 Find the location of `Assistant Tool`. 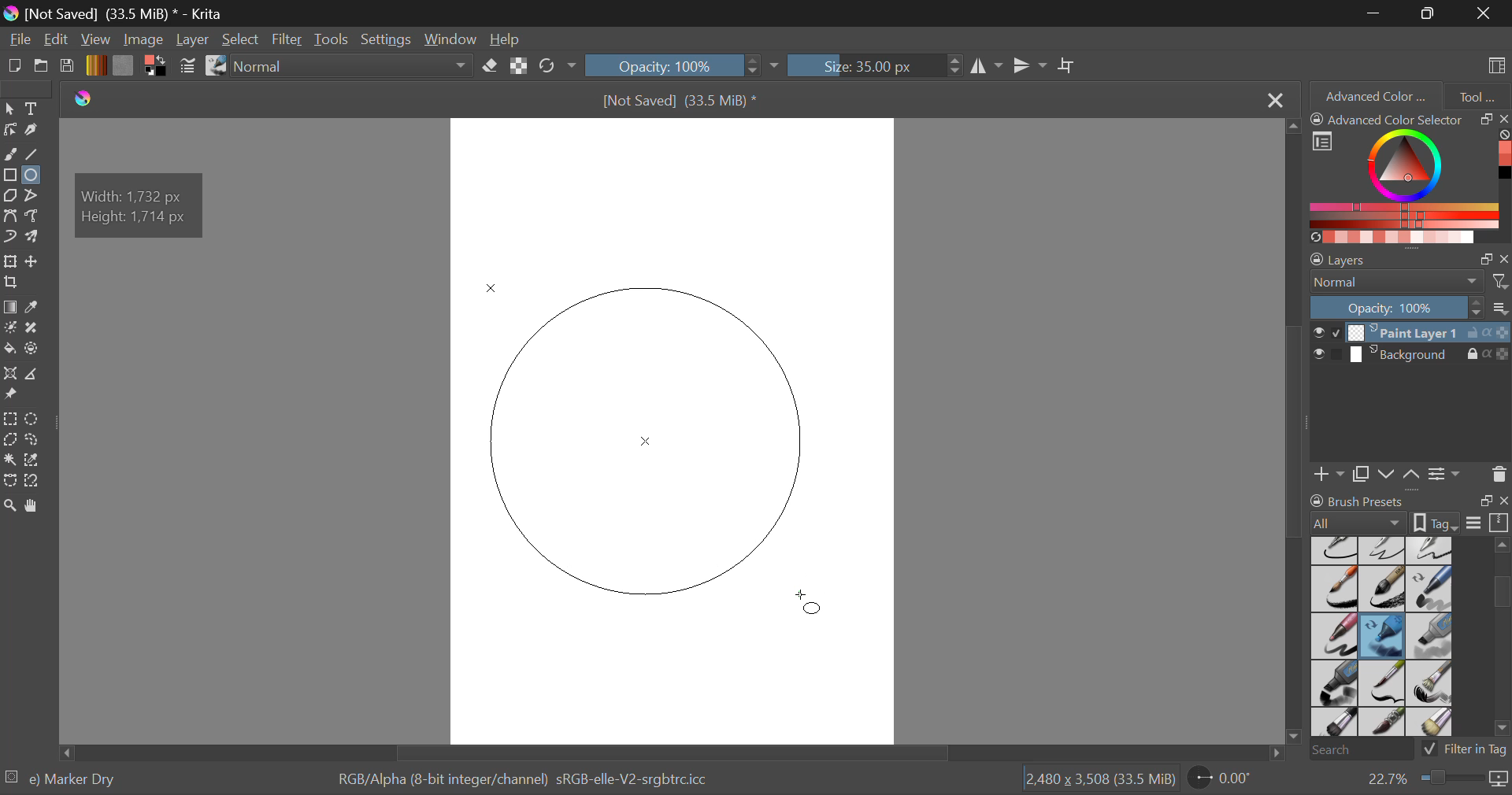

Assistant Tool is located at coordinates (11, 375).